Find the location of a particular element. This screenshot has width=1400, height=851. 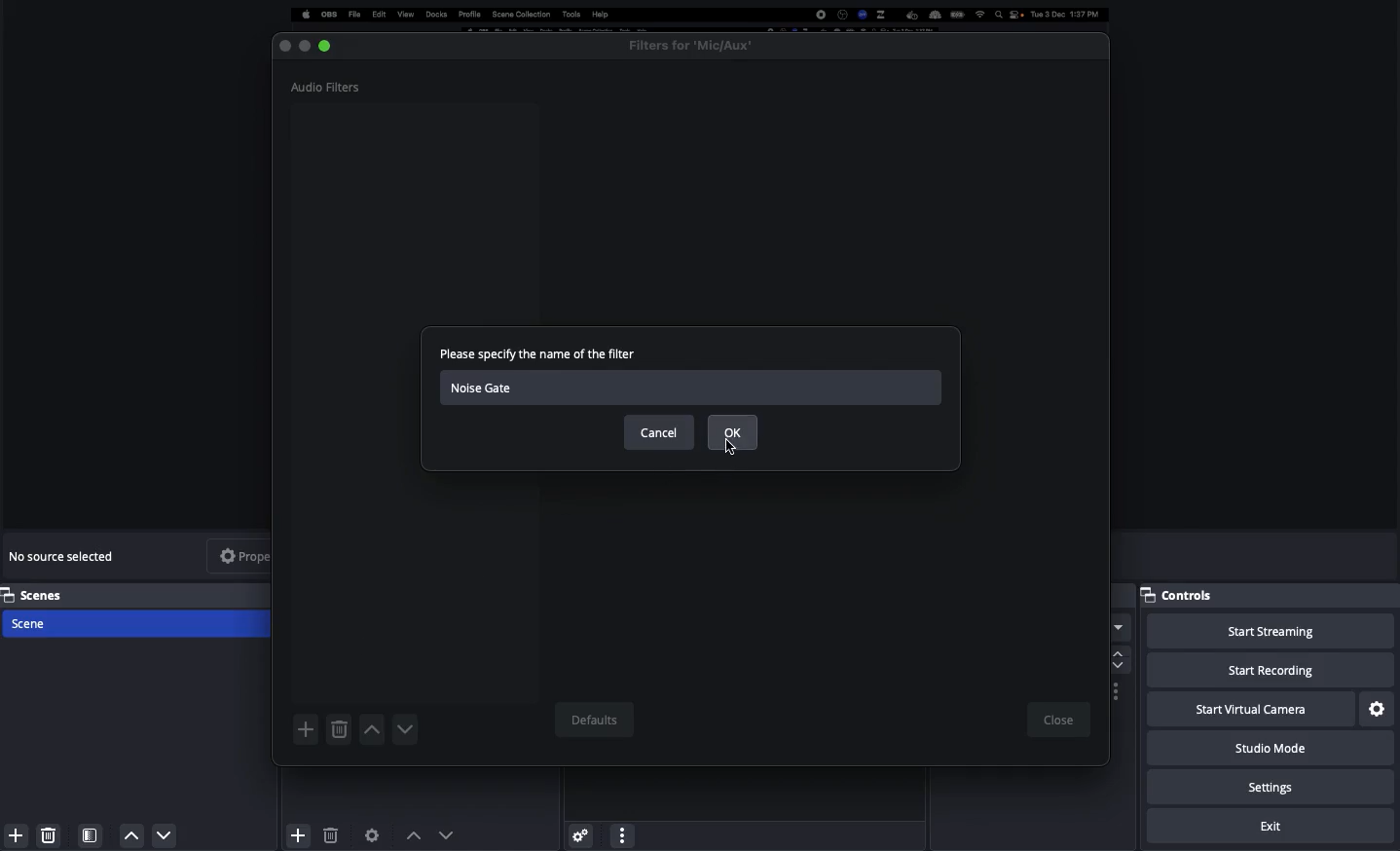

Delete is located at coordinates (338, 730).